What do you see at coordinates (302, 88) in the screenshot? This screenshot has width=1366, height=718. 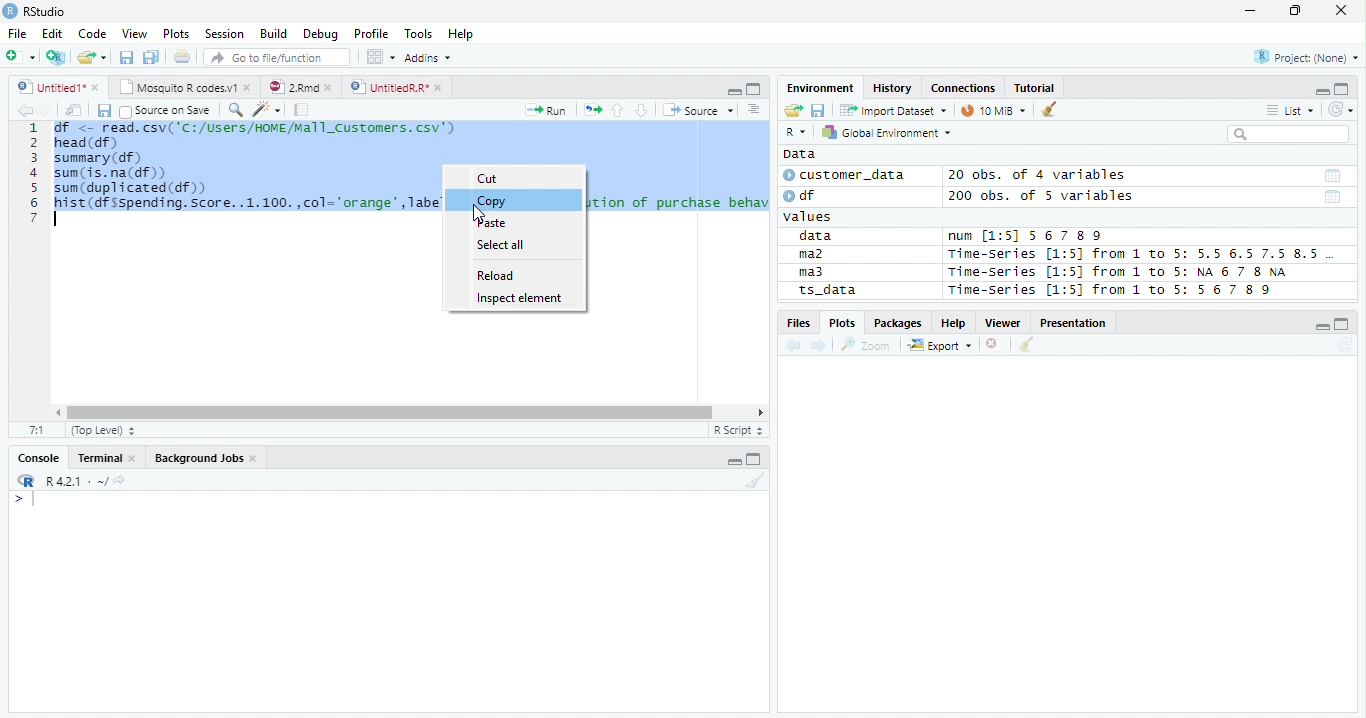 I see `2.Rmd` at bounding box center [302, 88].